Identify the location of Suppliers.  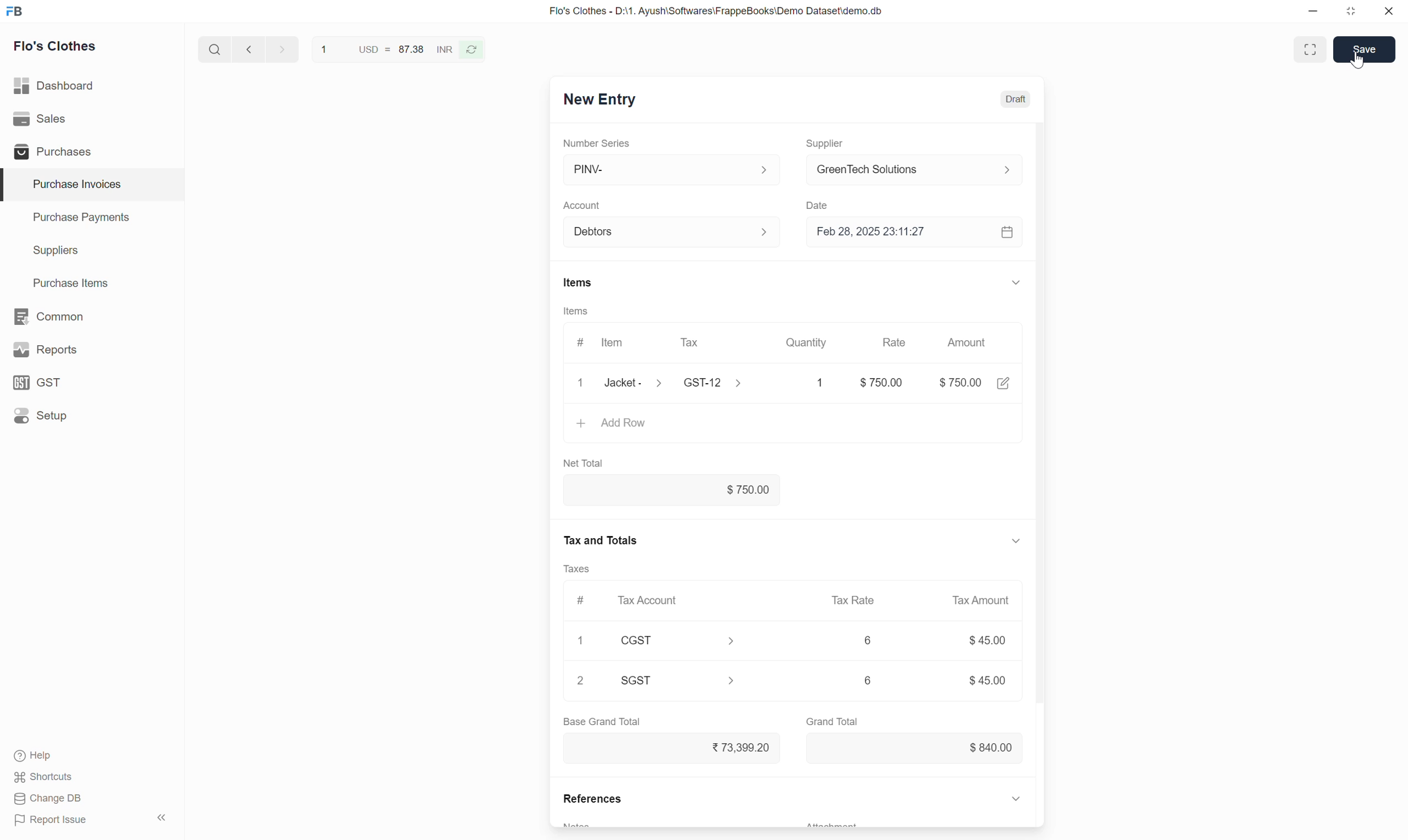
(92, 251).